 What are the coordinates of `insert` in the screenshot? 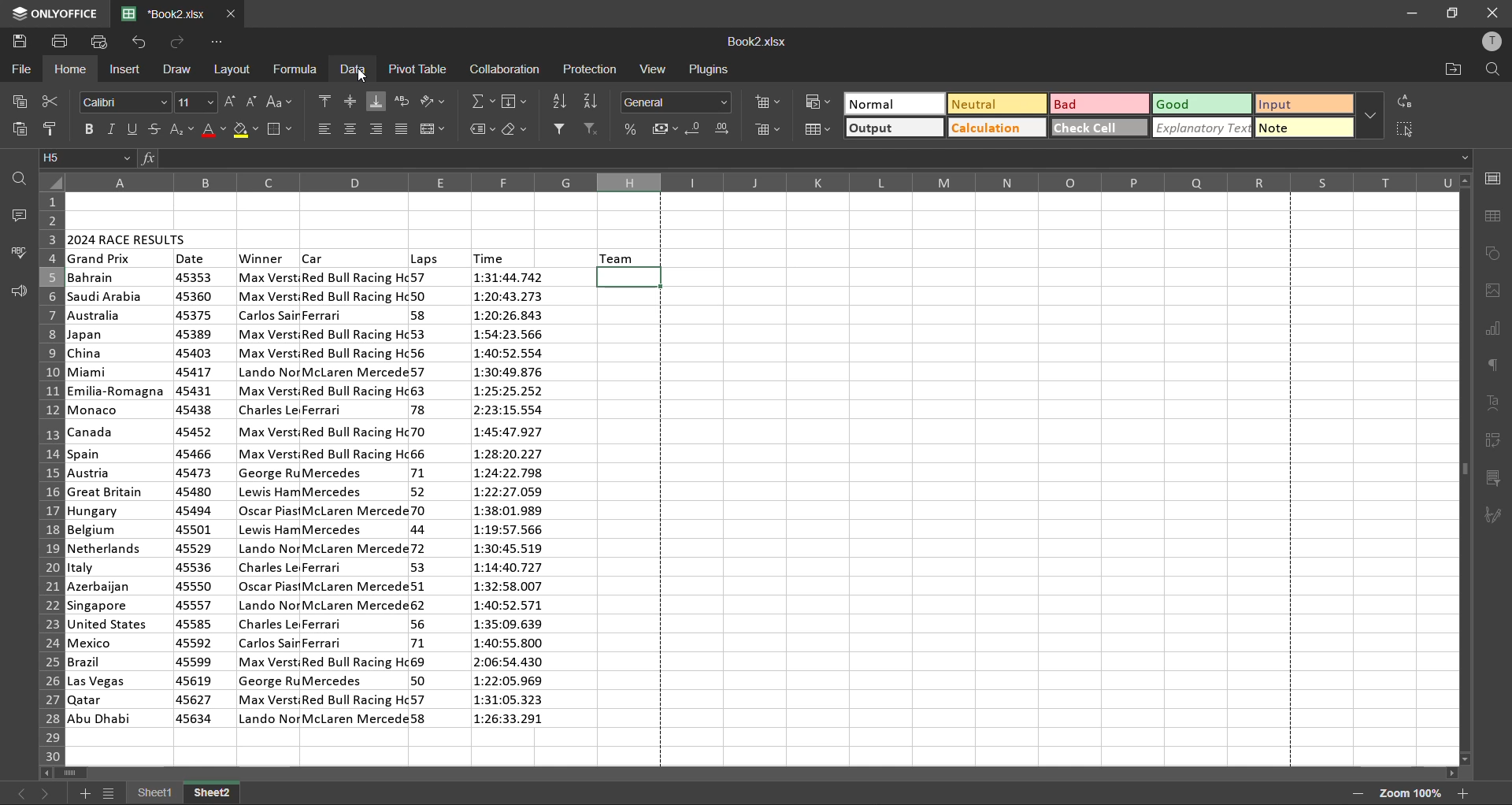 It's located at (128, 69).